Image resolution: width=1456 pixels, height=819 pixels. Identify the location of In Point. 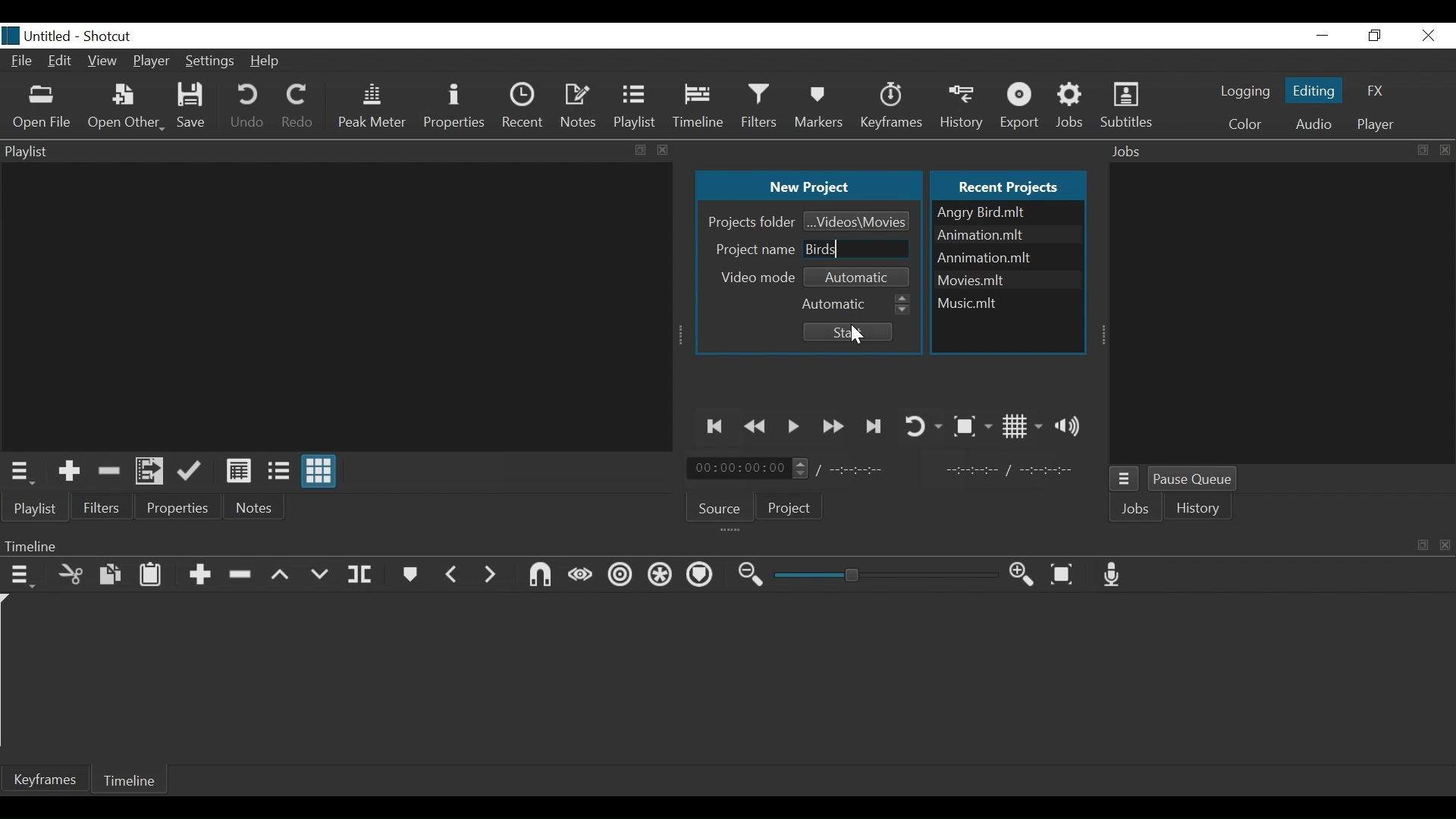
(1009, 470).